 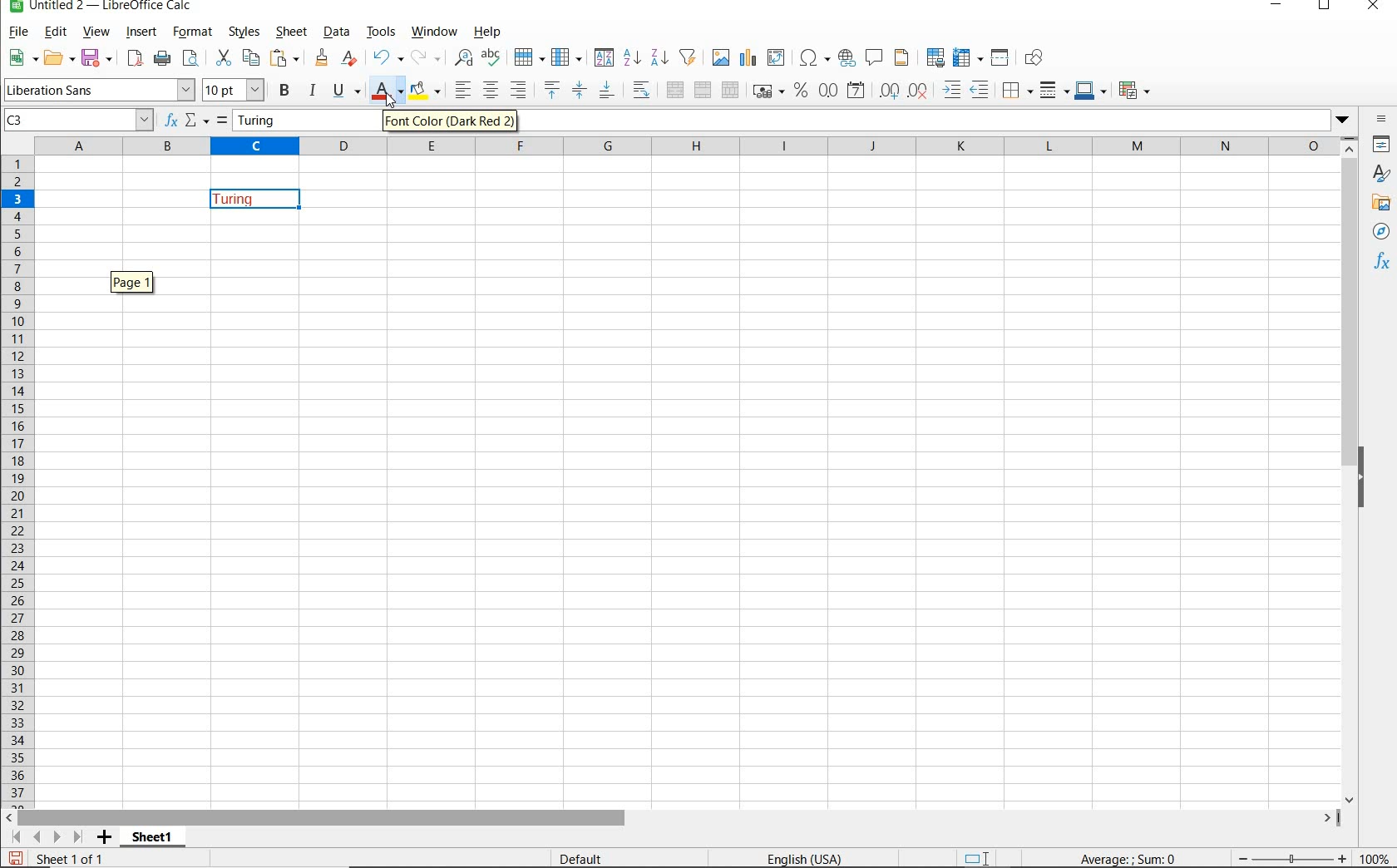 What do you see at coordinates (1383, 121) in the screenshot?
I see `SIDEBAR SETTINGS` at bounding box center [1383, 121].